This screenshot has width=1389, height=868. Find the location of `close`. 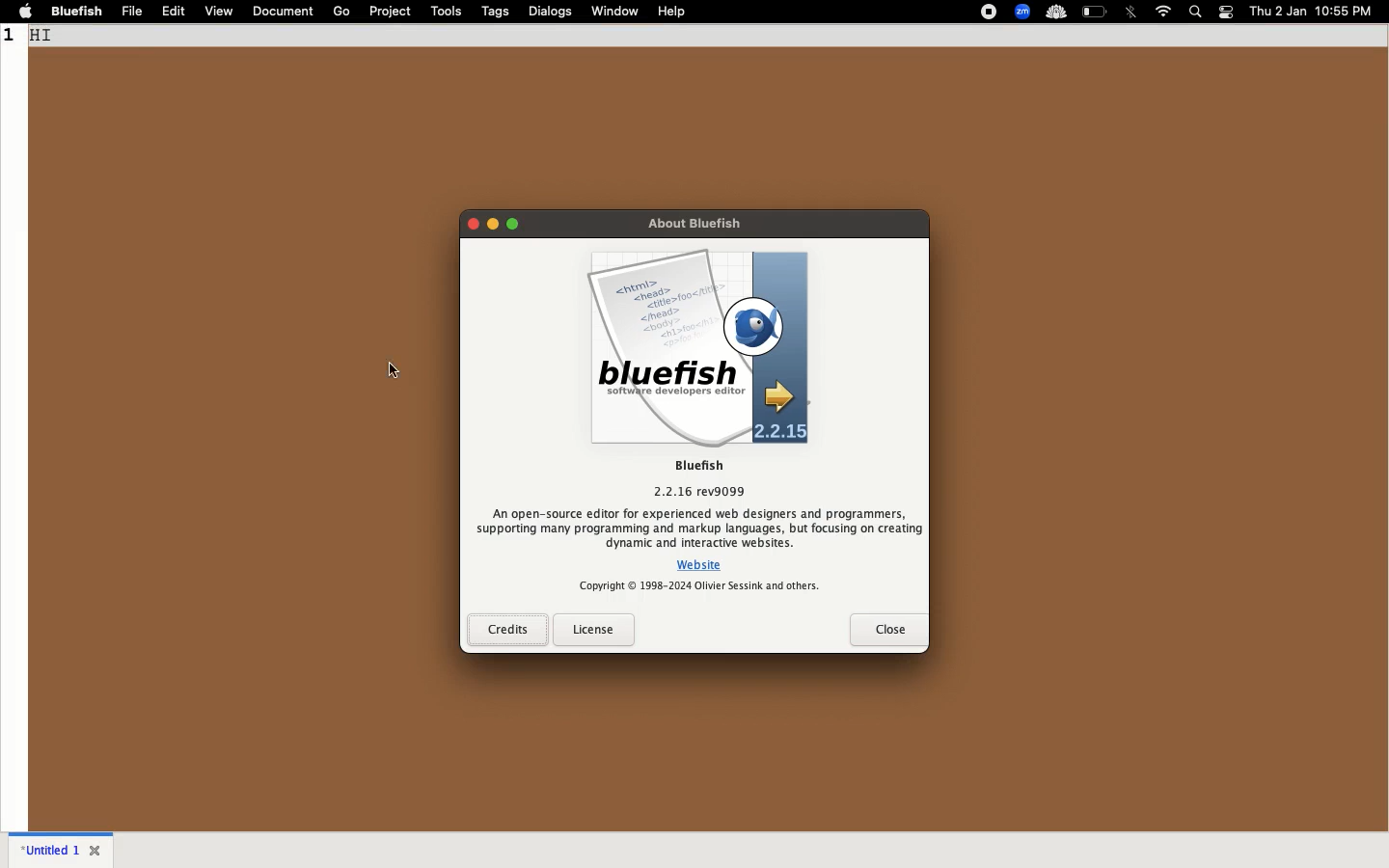

close is located at coordinates (473, 224).